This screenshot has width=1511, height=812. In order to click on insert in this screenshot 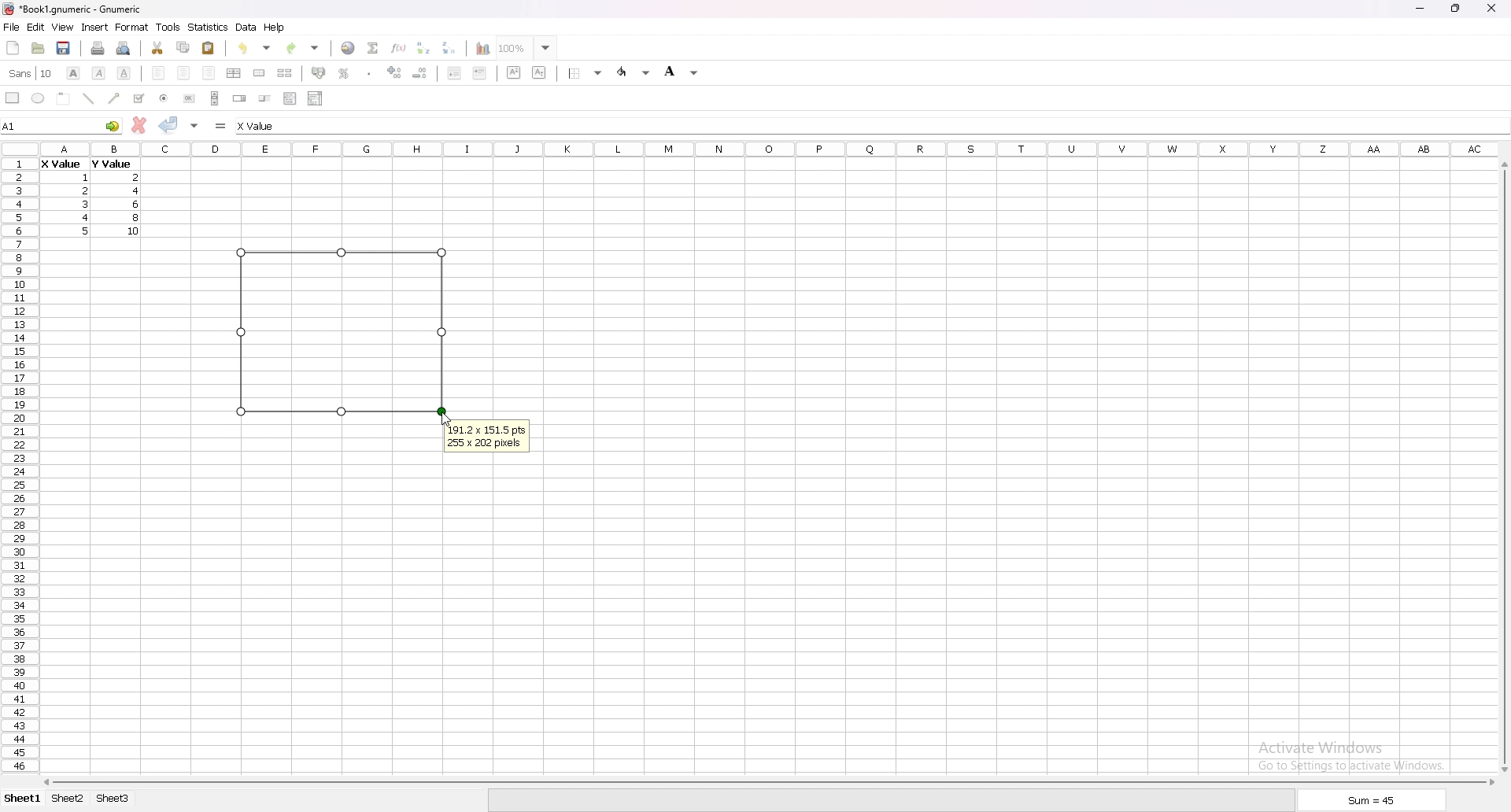, I will do `click(95, 27)`.